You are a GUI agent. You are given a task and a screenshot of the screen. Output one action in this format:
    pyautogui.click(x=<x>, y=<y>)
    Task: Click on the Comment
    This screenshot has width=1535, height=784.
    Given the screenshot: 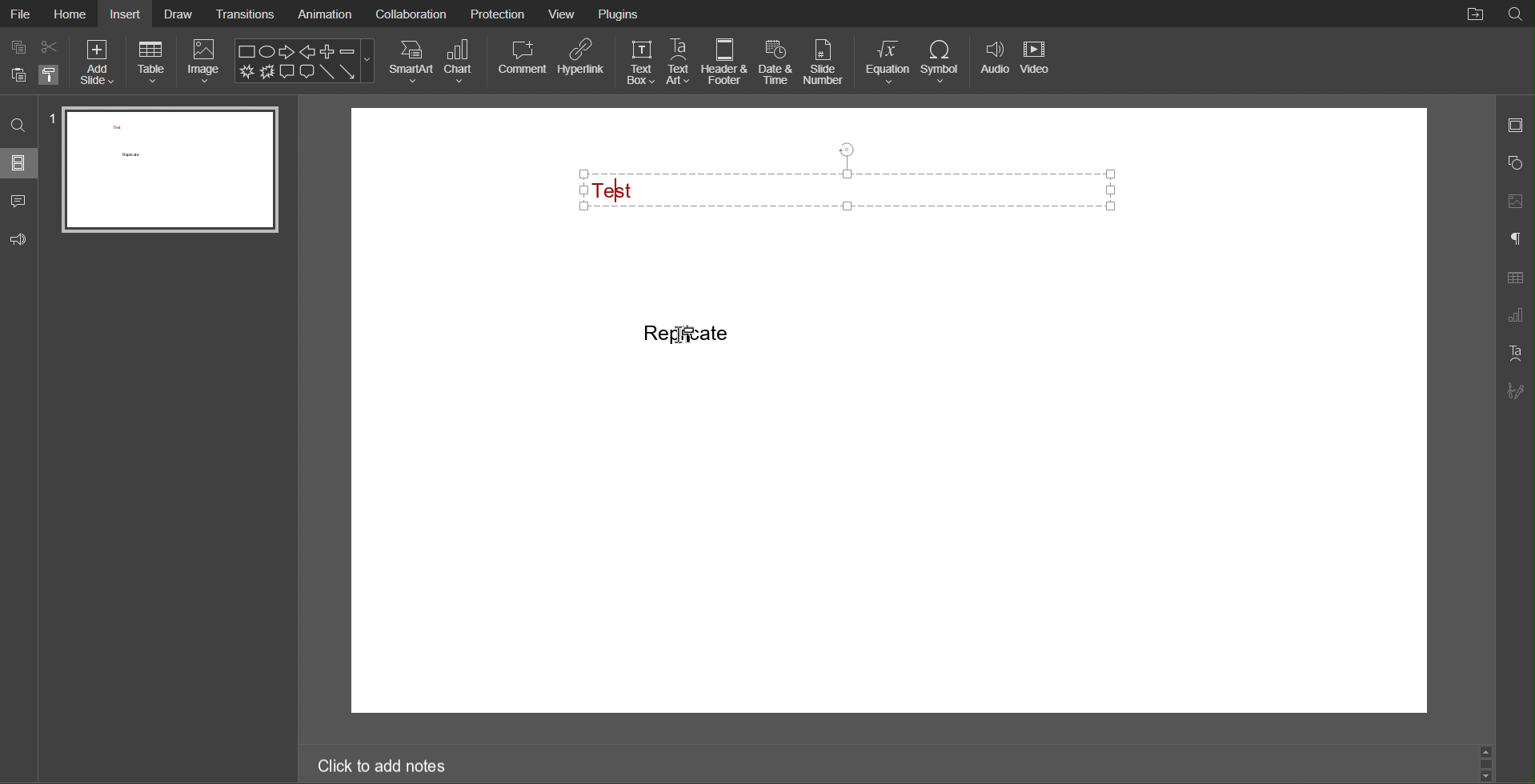 What is the action you would take?
    pyautogui.click(x=522, y=61)
    